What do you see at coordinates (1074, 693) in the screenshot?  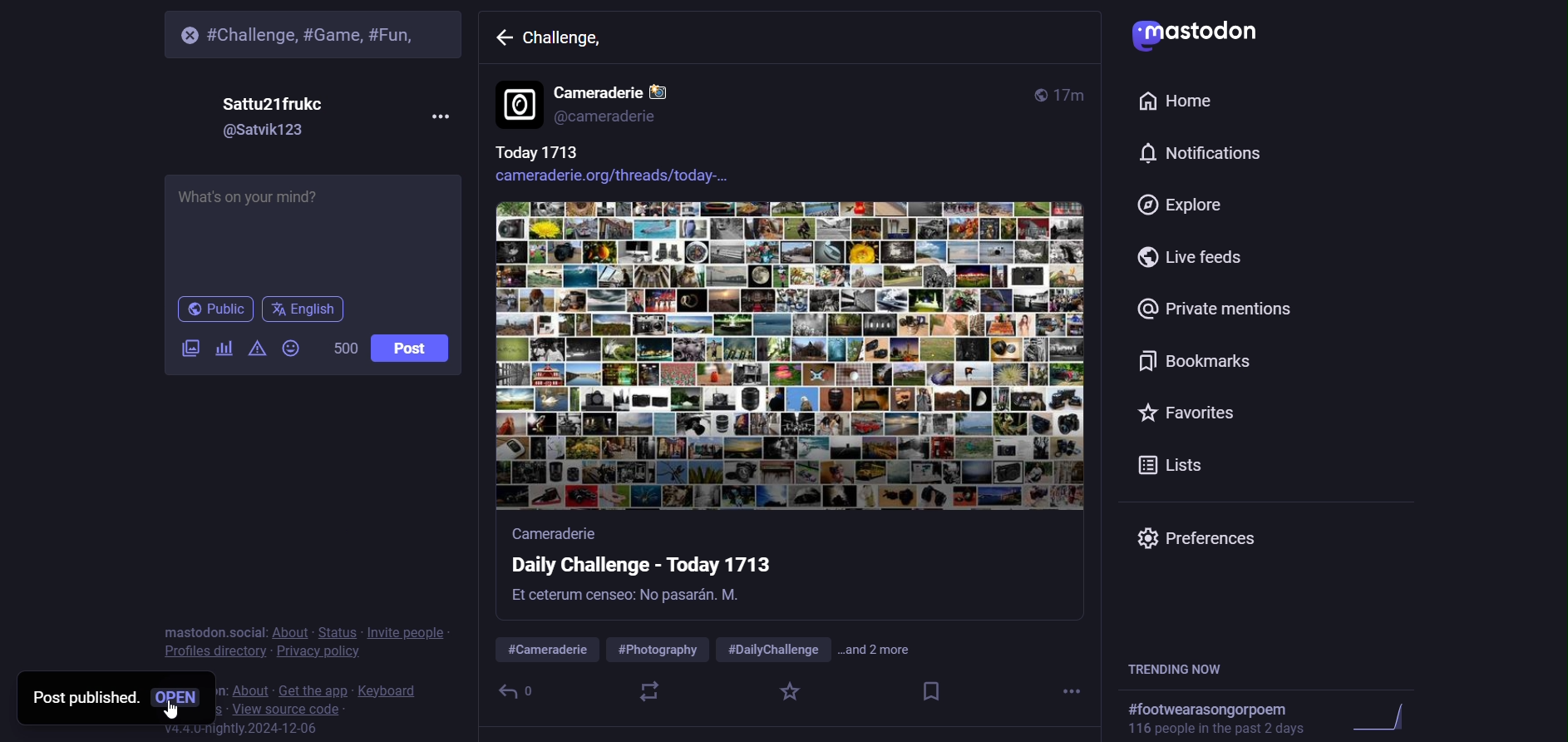 I see `more` at bounding box center [1074, 693].